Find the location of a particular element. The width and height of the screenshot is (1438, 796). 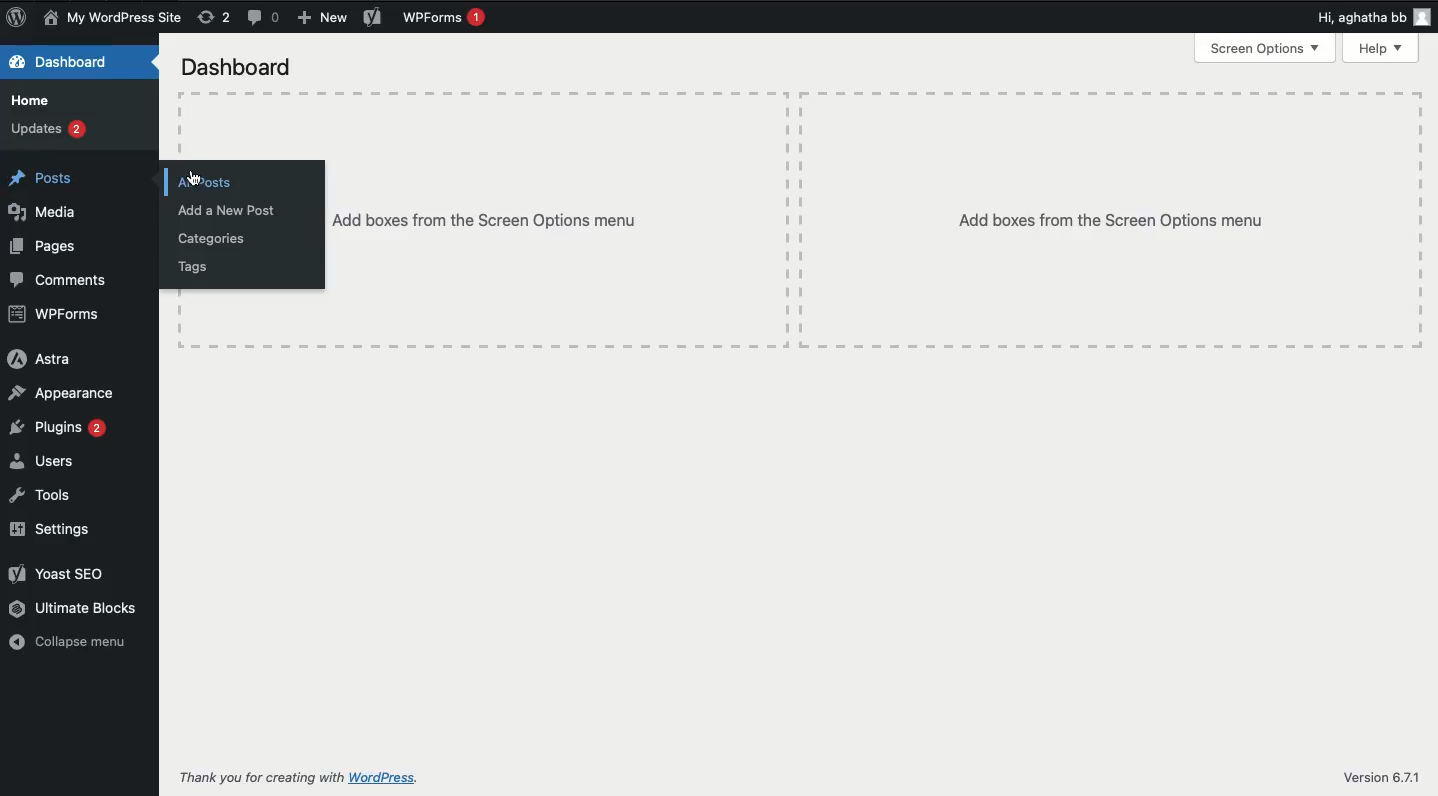

Version 6.7.1 is located at coordinates (1386, 776).